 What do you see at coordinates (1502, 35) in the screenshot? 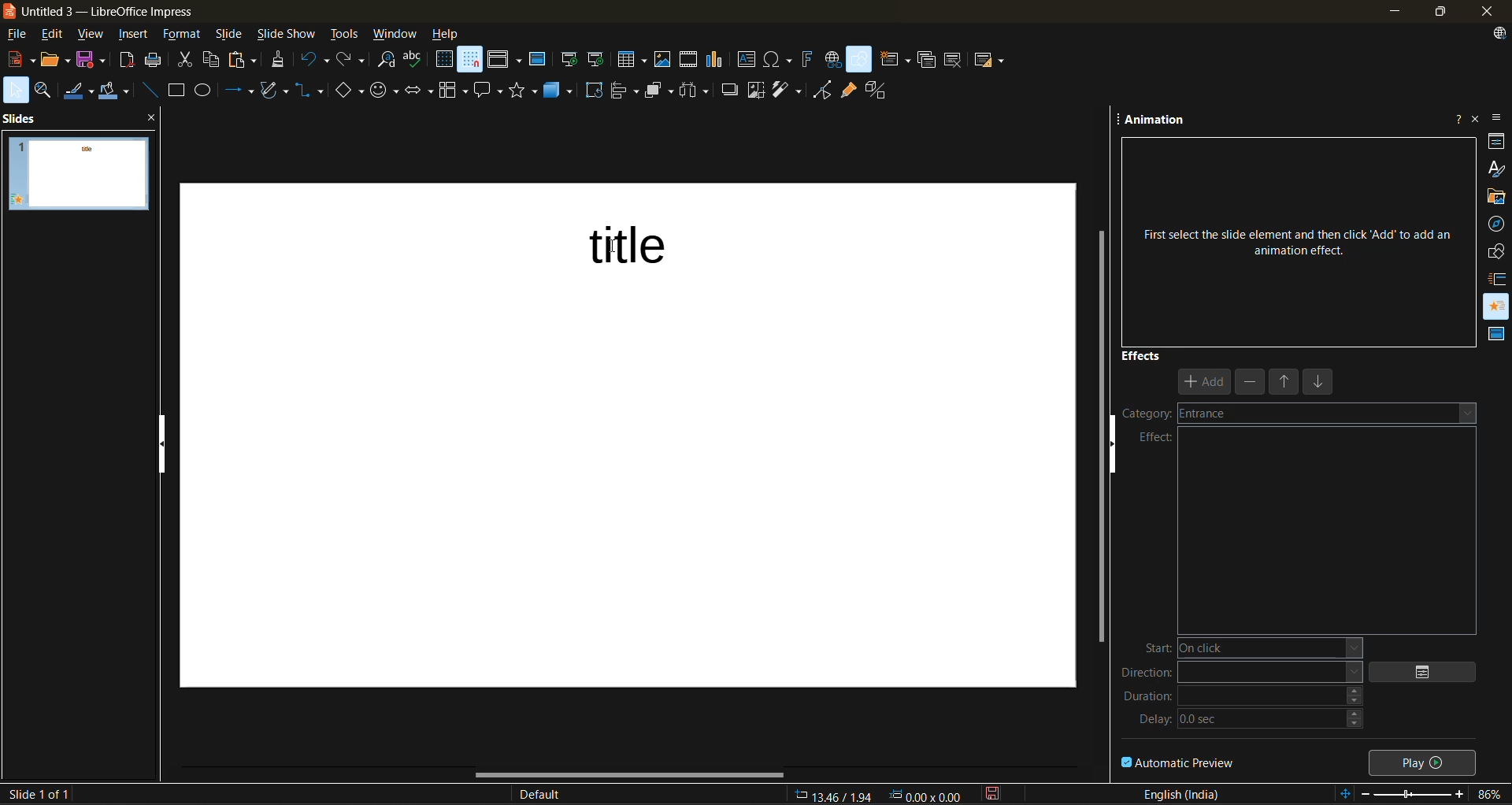
I see `update` at bounding box center [1502, 35].